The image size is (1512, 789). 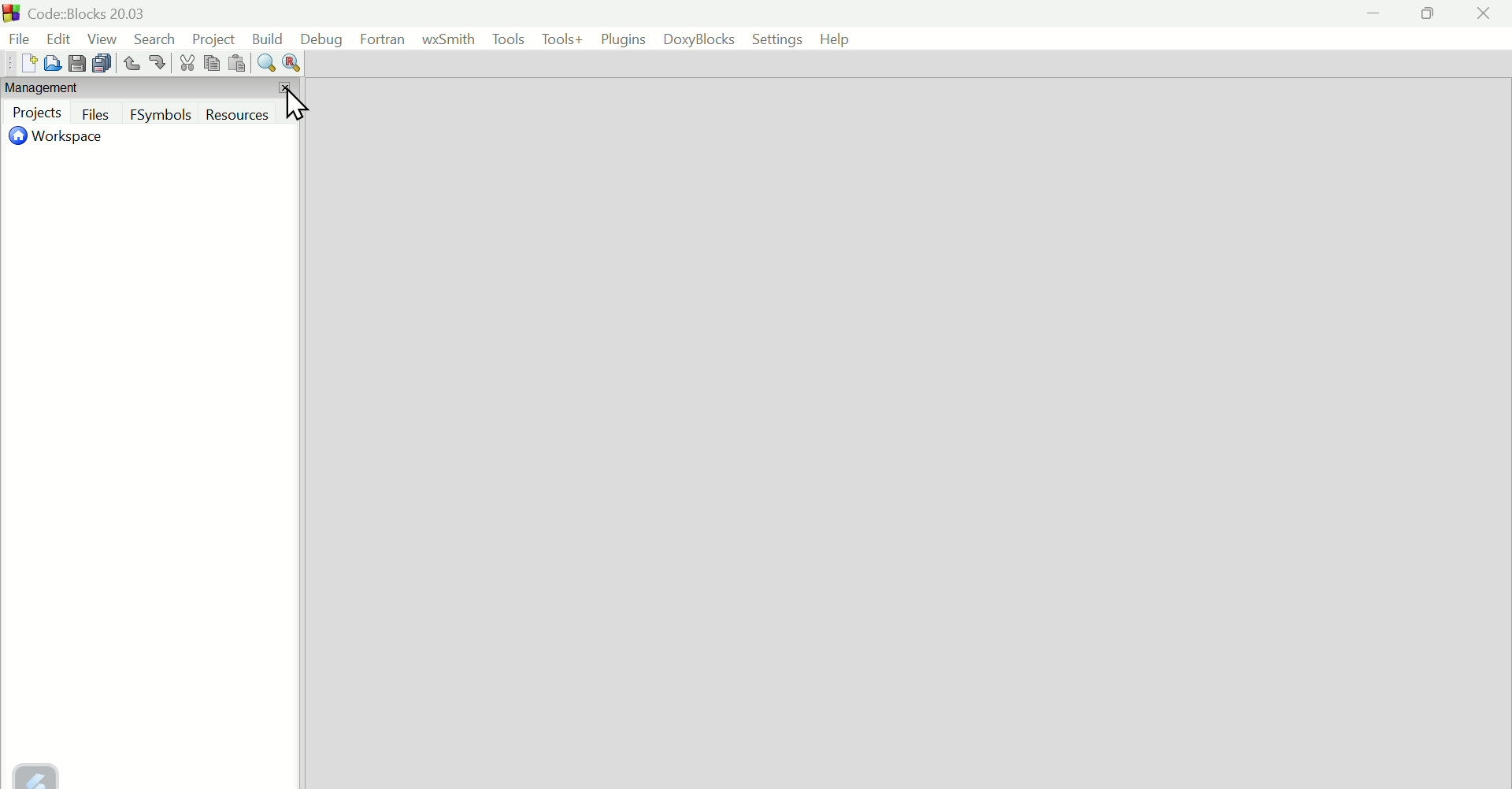 I want to click on minimize, so click(x=1376, y=13).